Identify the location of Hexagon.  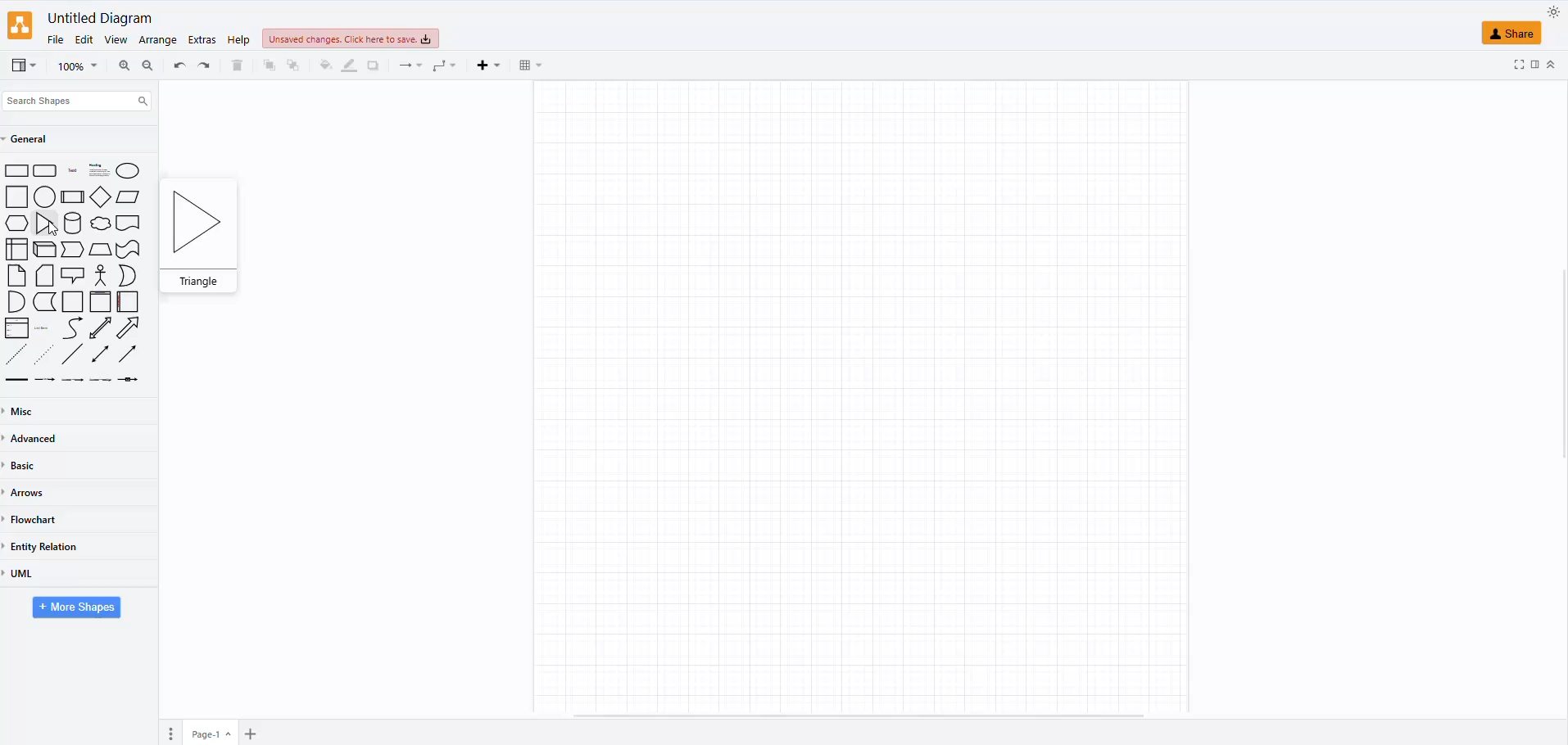
(16, 223).